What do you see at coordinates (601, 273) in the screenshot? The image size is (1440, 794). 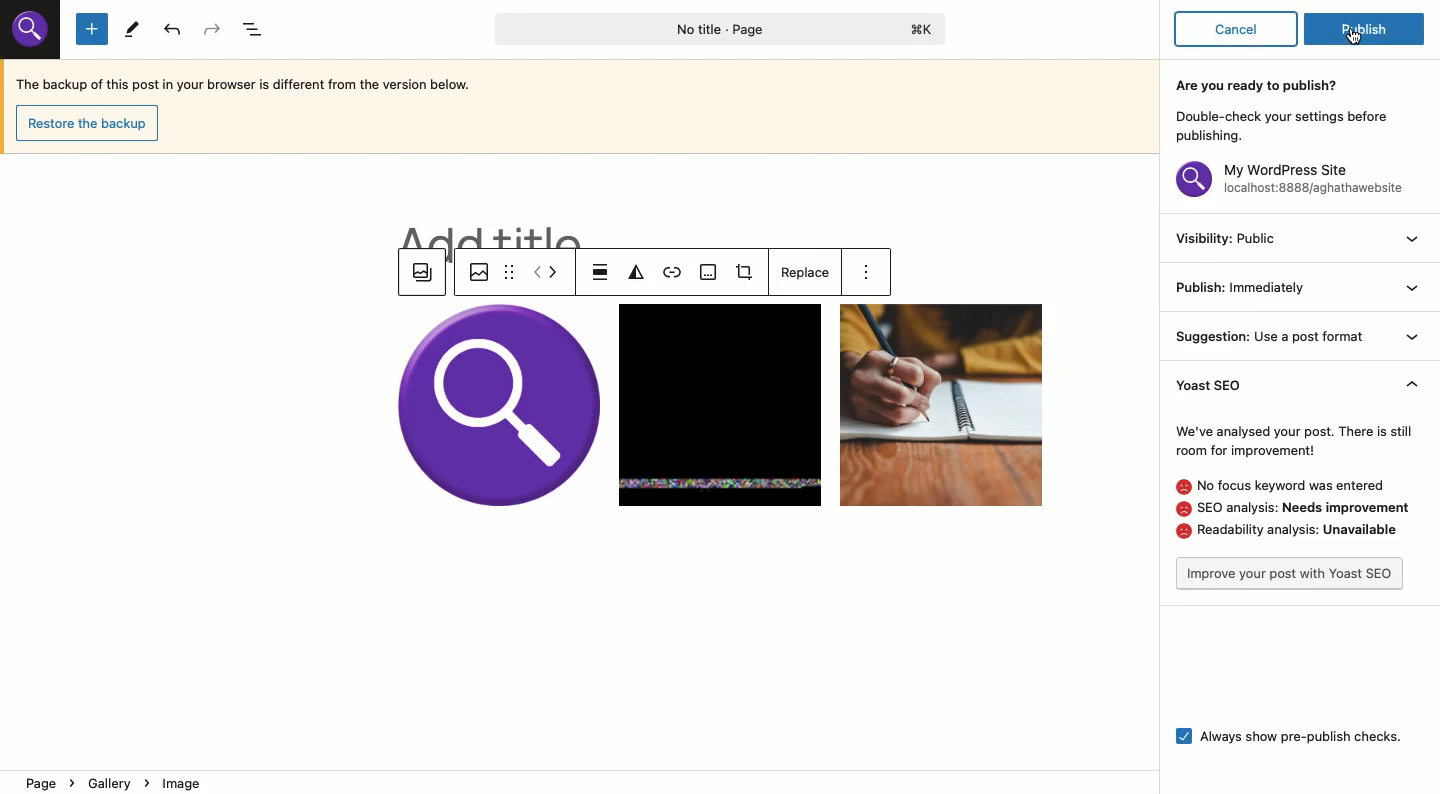 I see `Align` at bounding box center [601, 273].